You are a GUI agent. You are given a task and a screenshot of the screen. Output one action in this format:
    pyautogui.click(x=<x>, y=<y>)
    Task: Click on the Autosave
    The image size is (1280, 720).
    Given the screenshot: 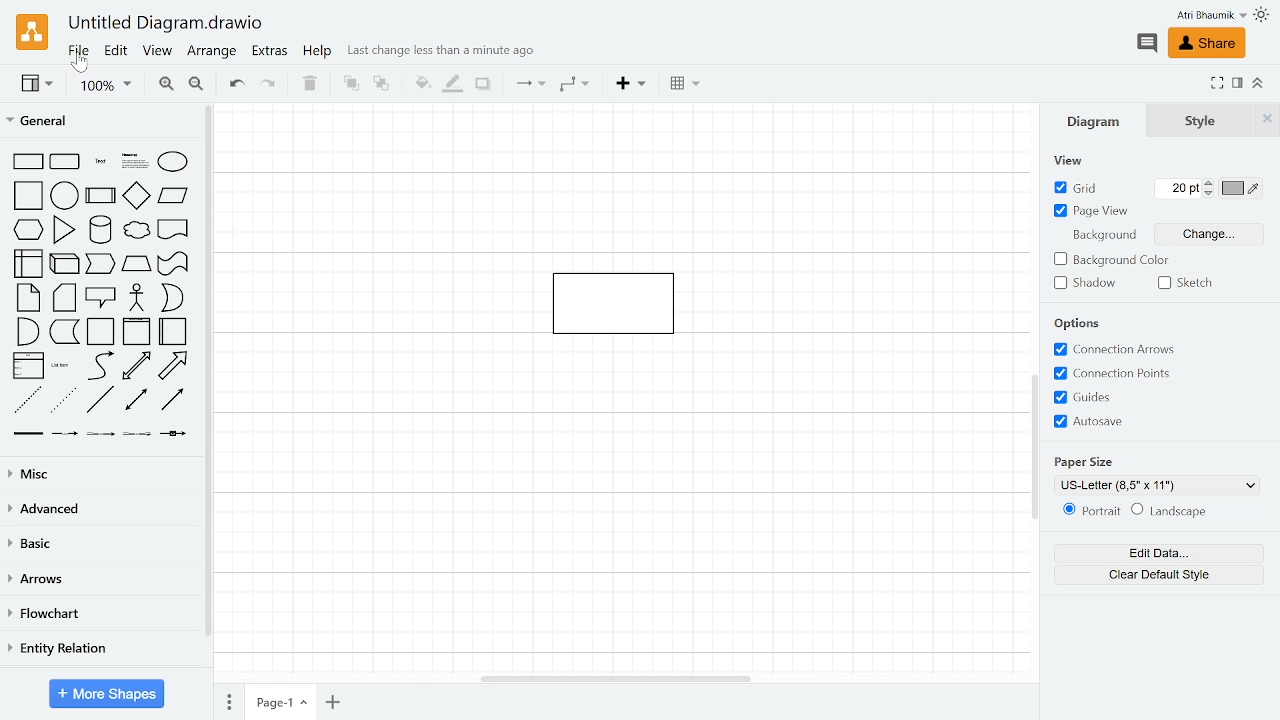 What is the action you would take?
    pyautogui.click(x=1122, y=423)
    